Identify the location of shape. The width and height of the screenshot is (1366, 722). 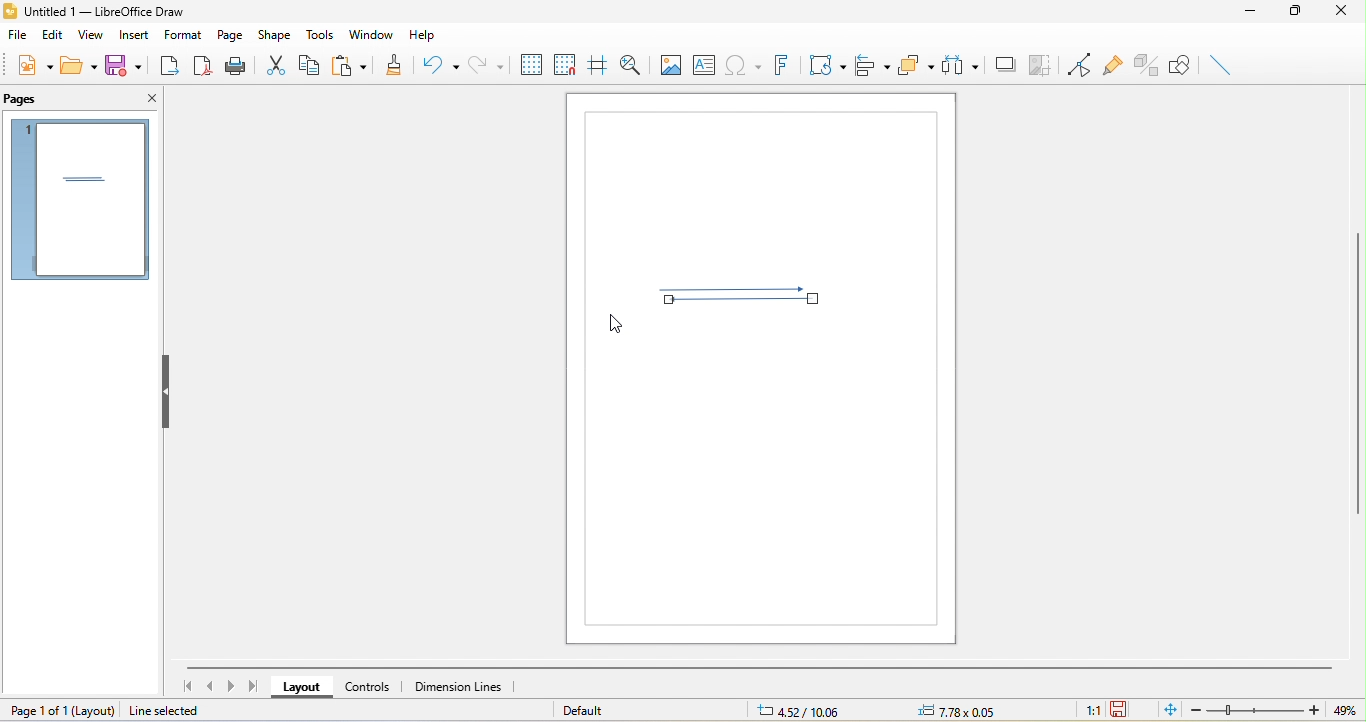
(278, 34).